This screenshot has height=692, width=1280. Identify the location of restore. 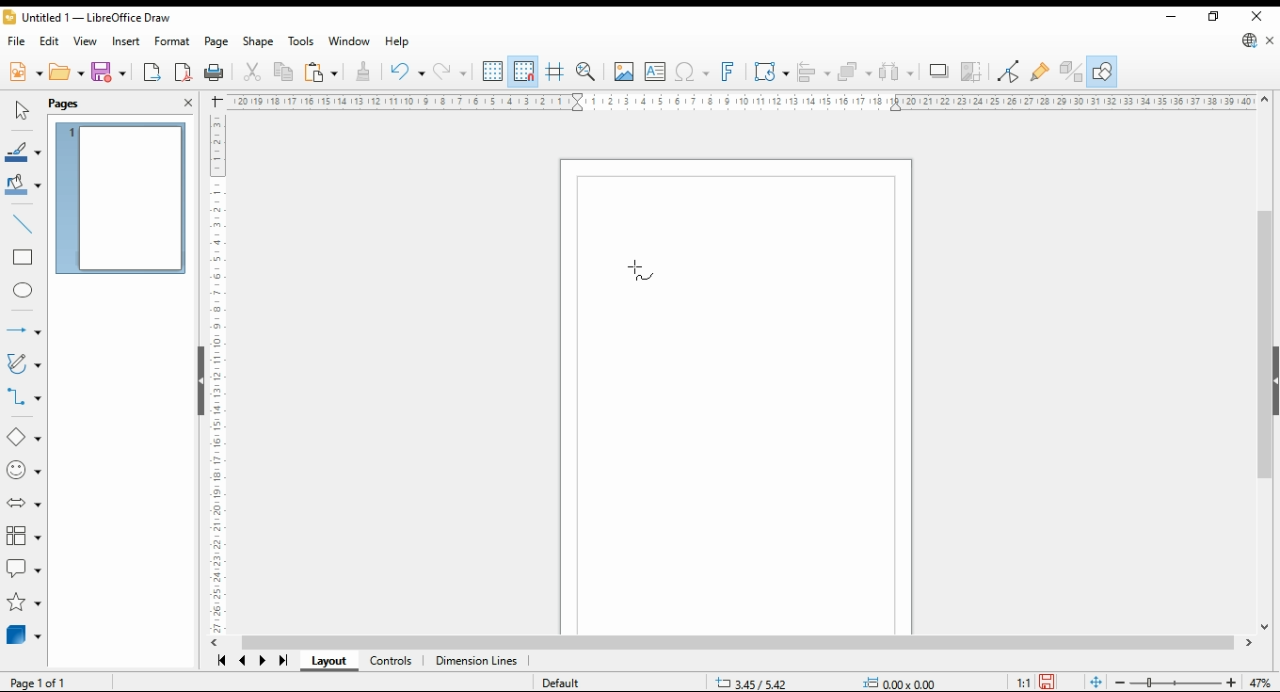
(1215, 16).